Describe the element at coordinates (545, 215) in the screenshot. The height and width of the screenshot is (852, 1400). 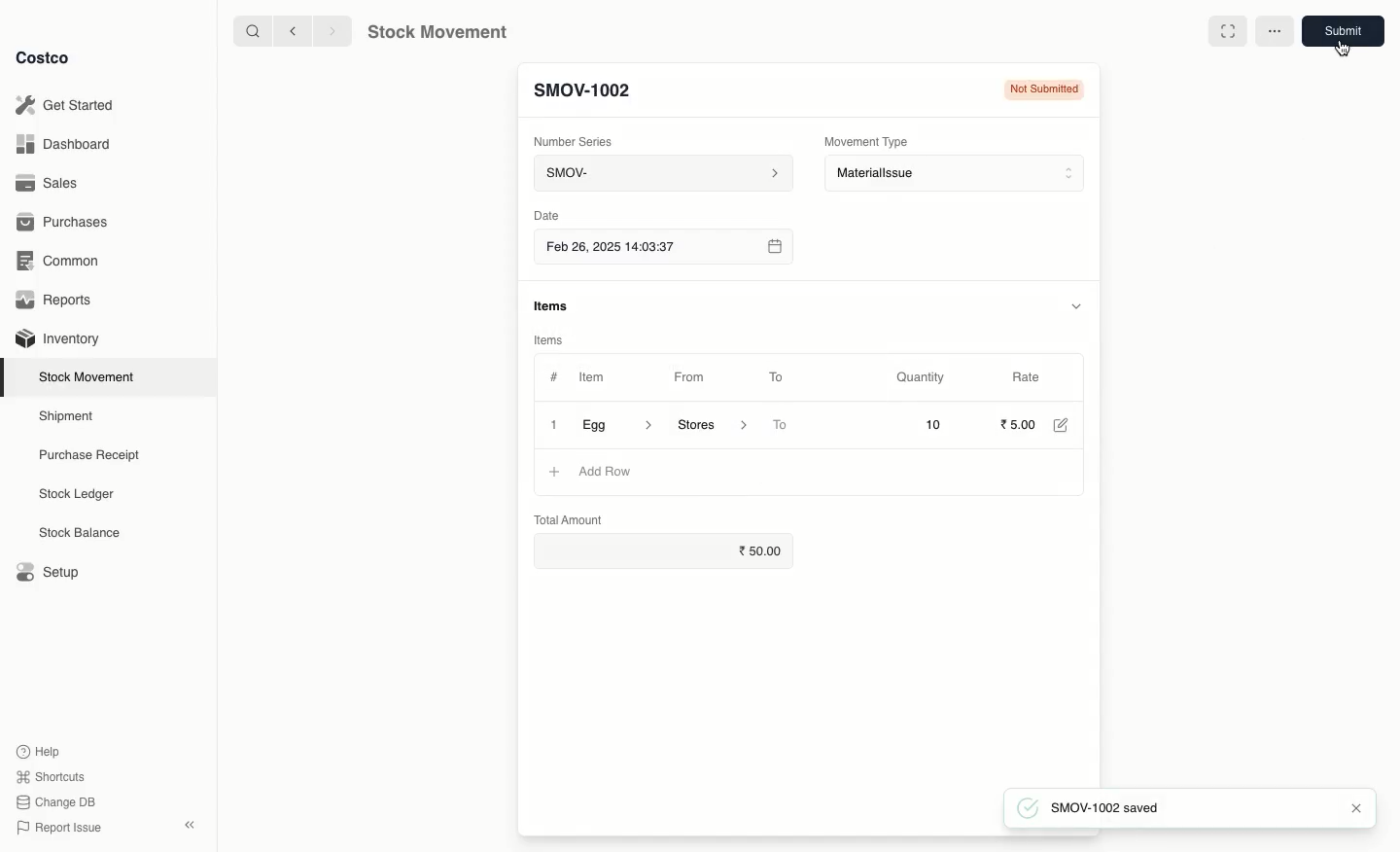
I see `Date` at that location.